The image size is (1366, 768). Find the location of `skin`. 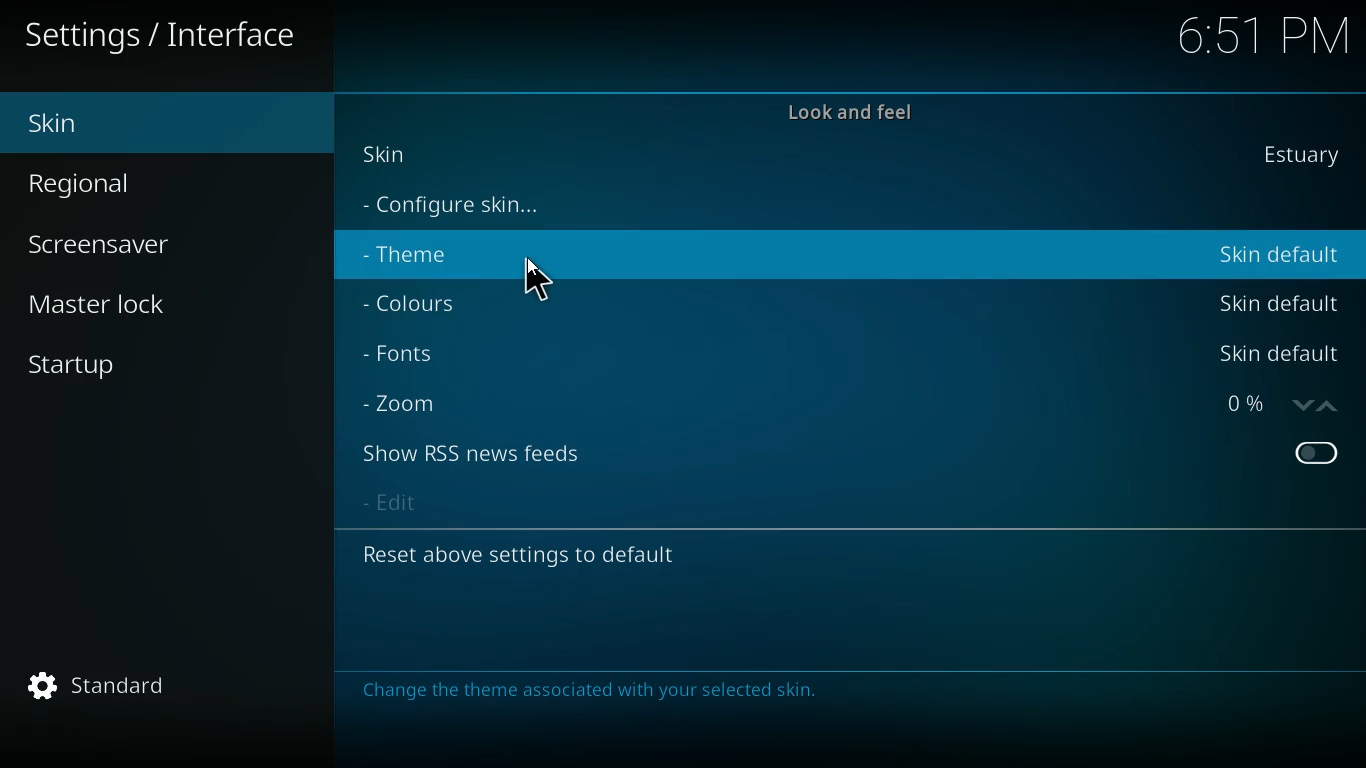

skin is located at coordinates (157, 122).